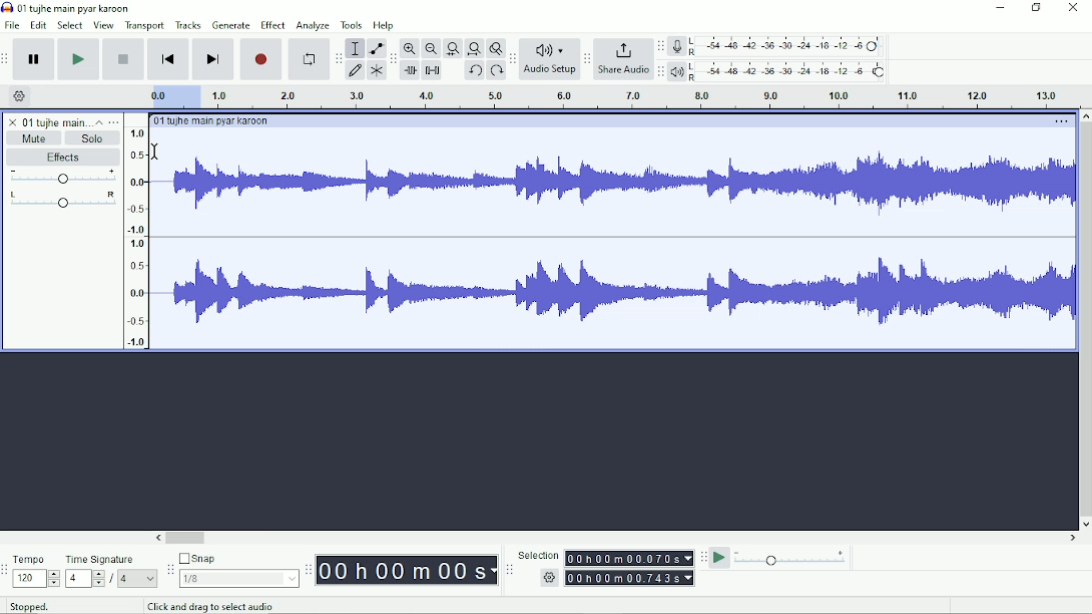  Describe the element at coordinates (621, 187) in the screenshot. I see `Audio Waves` at that location.